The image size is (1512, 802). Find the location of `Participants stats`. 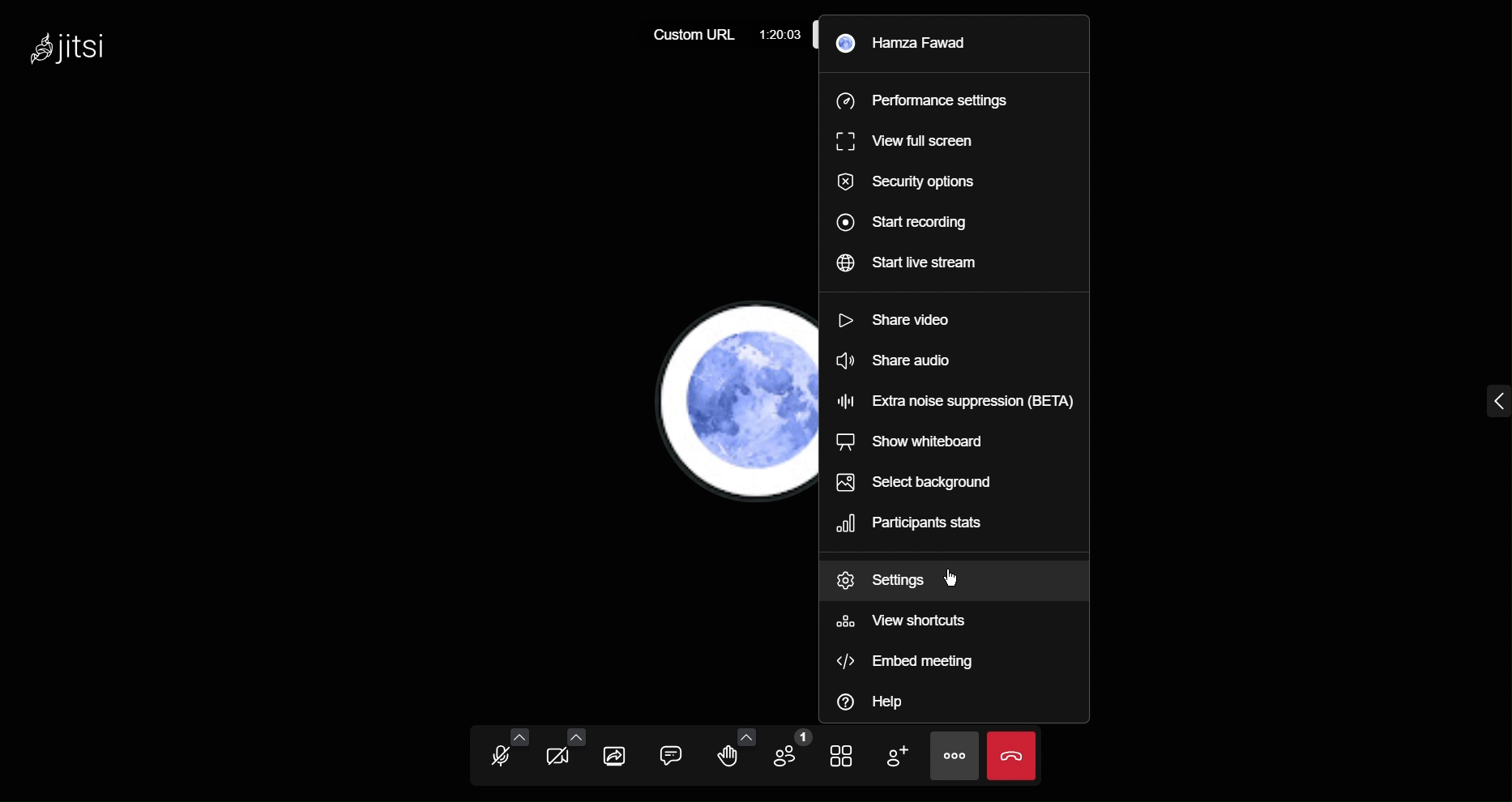

Participants stats is located at coordinates (923, 527).